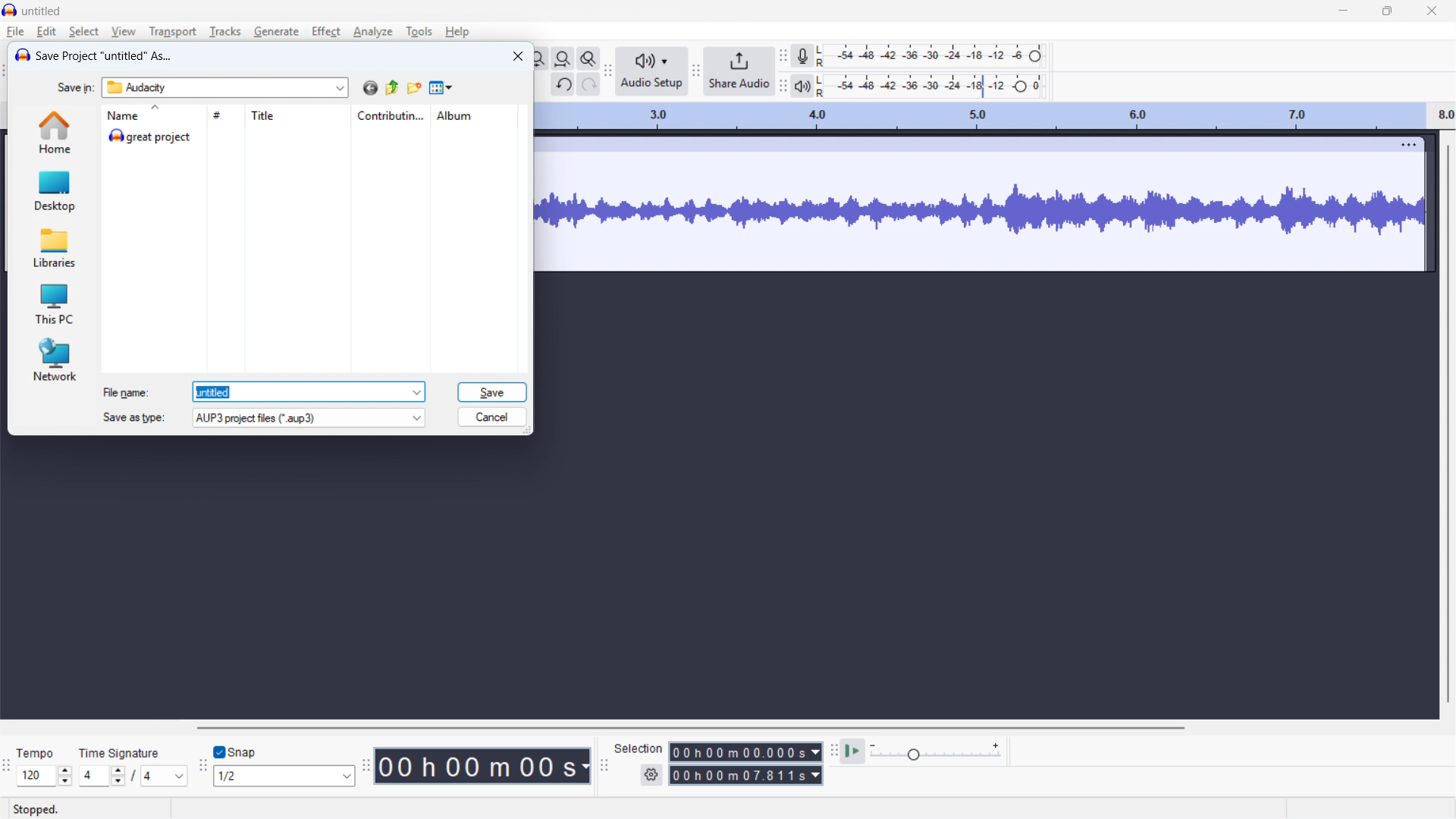 The image size is (1456, 819). I want to click on recording metre, so click(802, 56).